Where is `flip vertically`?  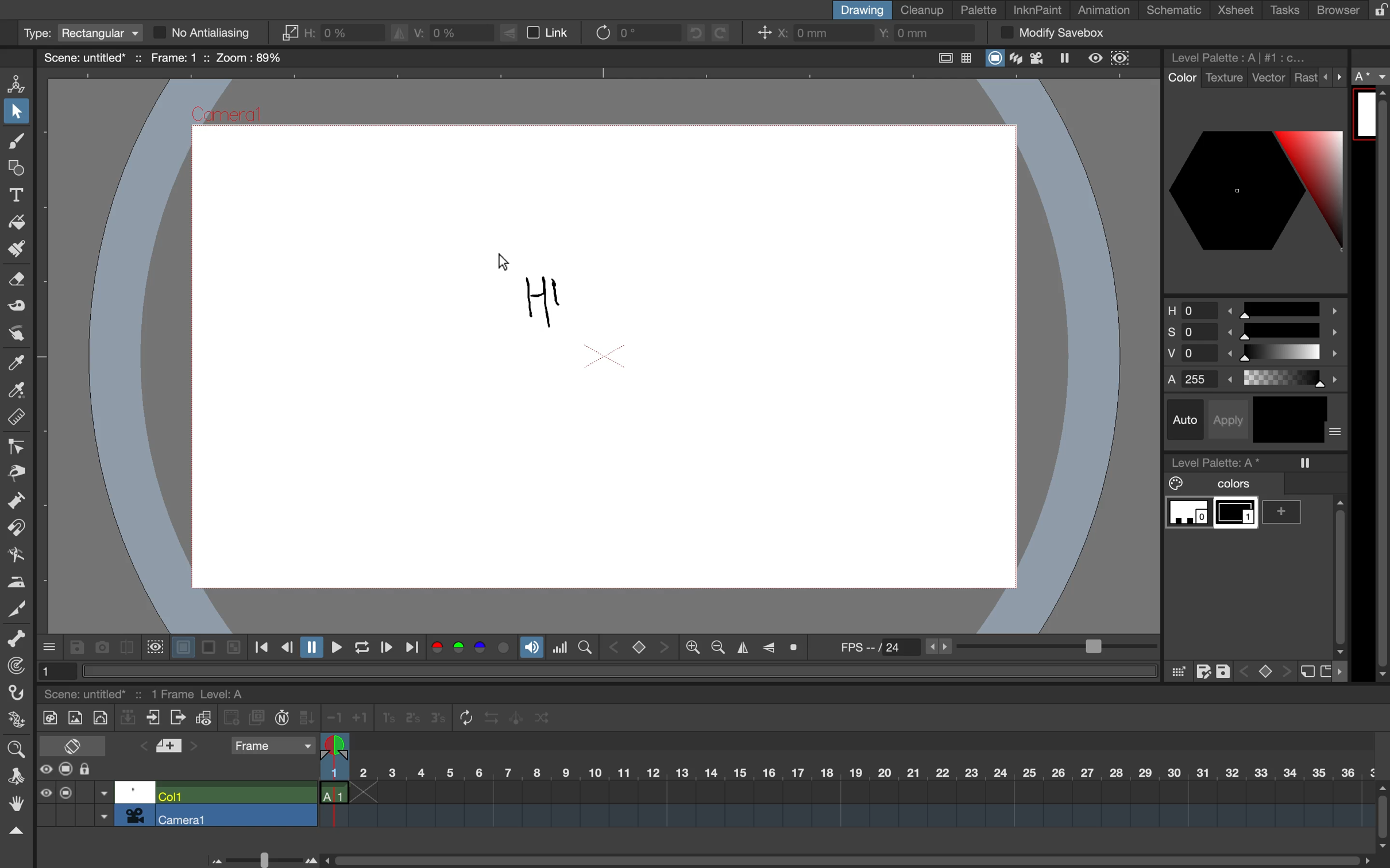
flip vertically is located at coordinates (769, 646).